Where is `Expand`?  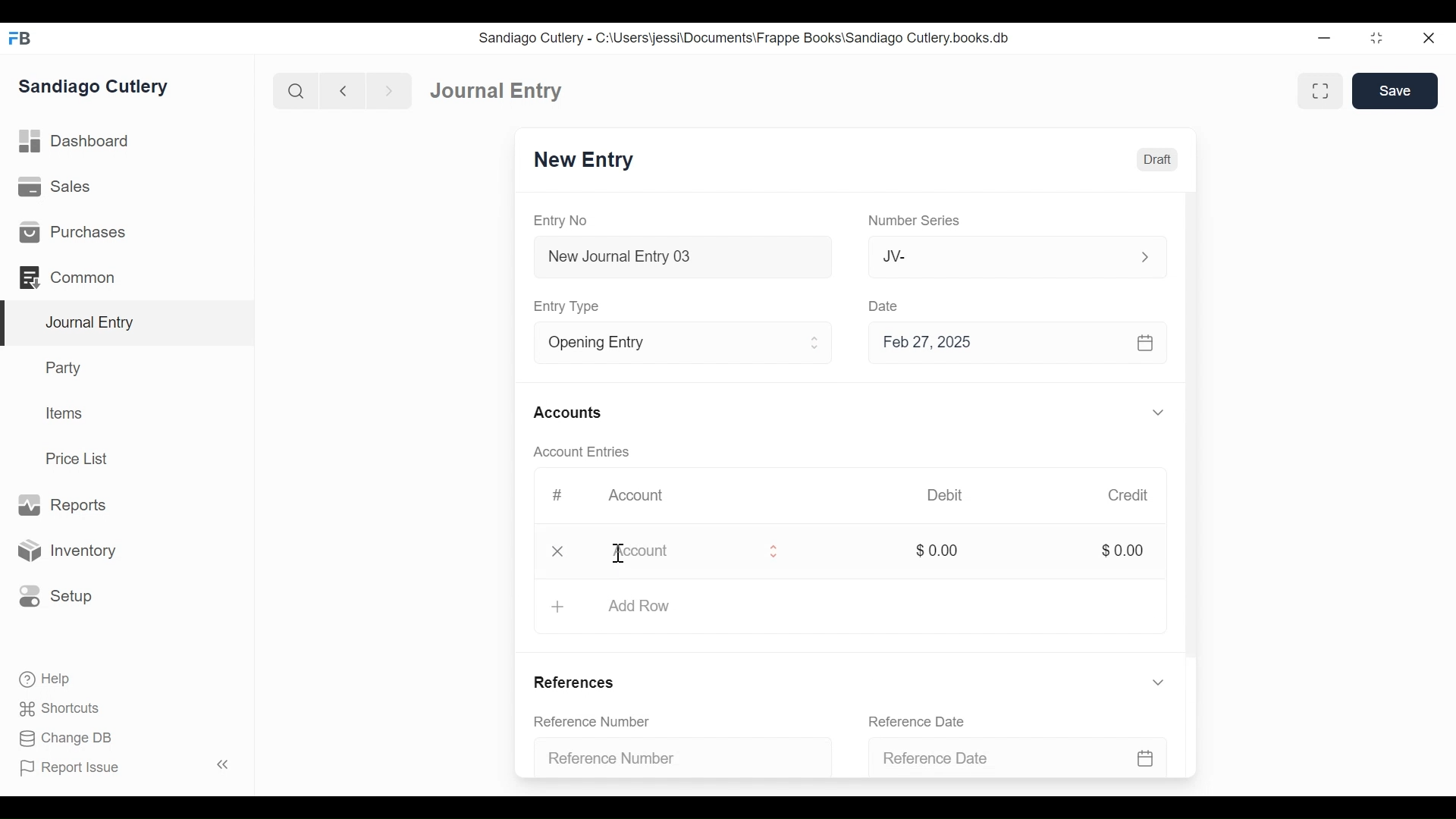 Expand is located at coordinates (1160, 412).